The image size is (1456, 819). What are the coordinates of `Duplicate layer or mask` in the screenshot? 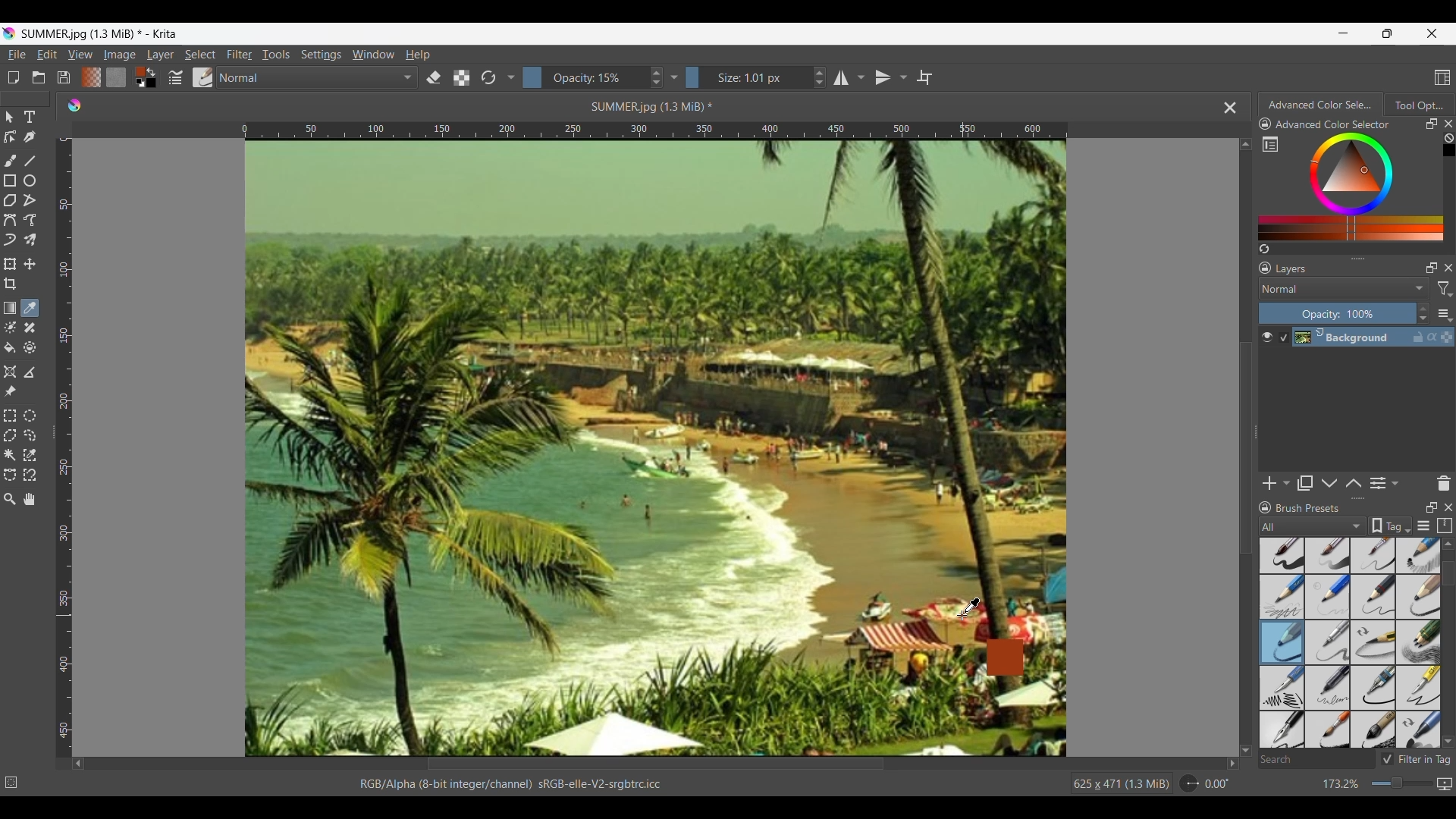 It's located at (1304, 483).